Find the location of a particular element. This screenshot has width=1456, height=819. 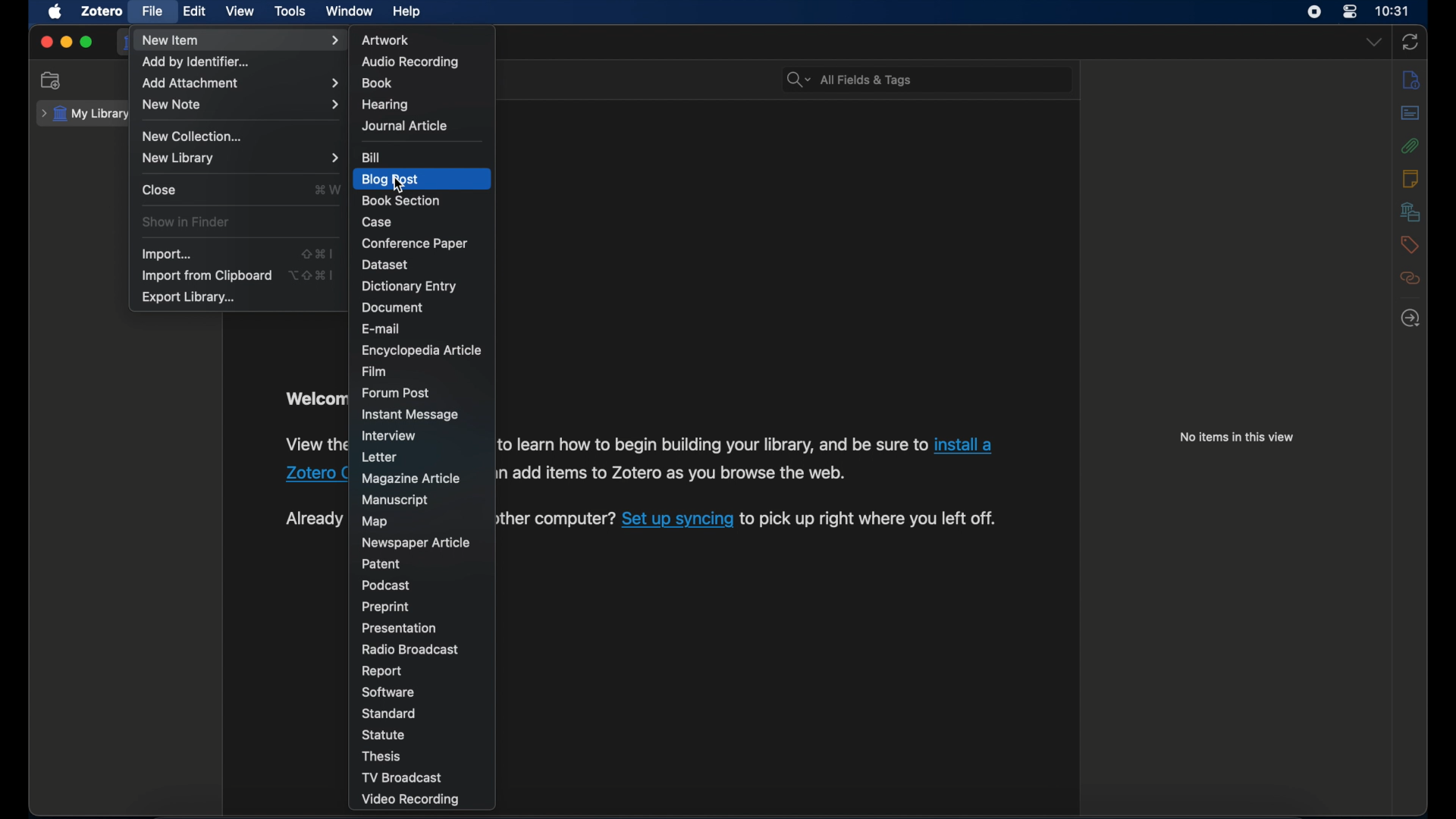

hearing is located at coordinates (384, 105).